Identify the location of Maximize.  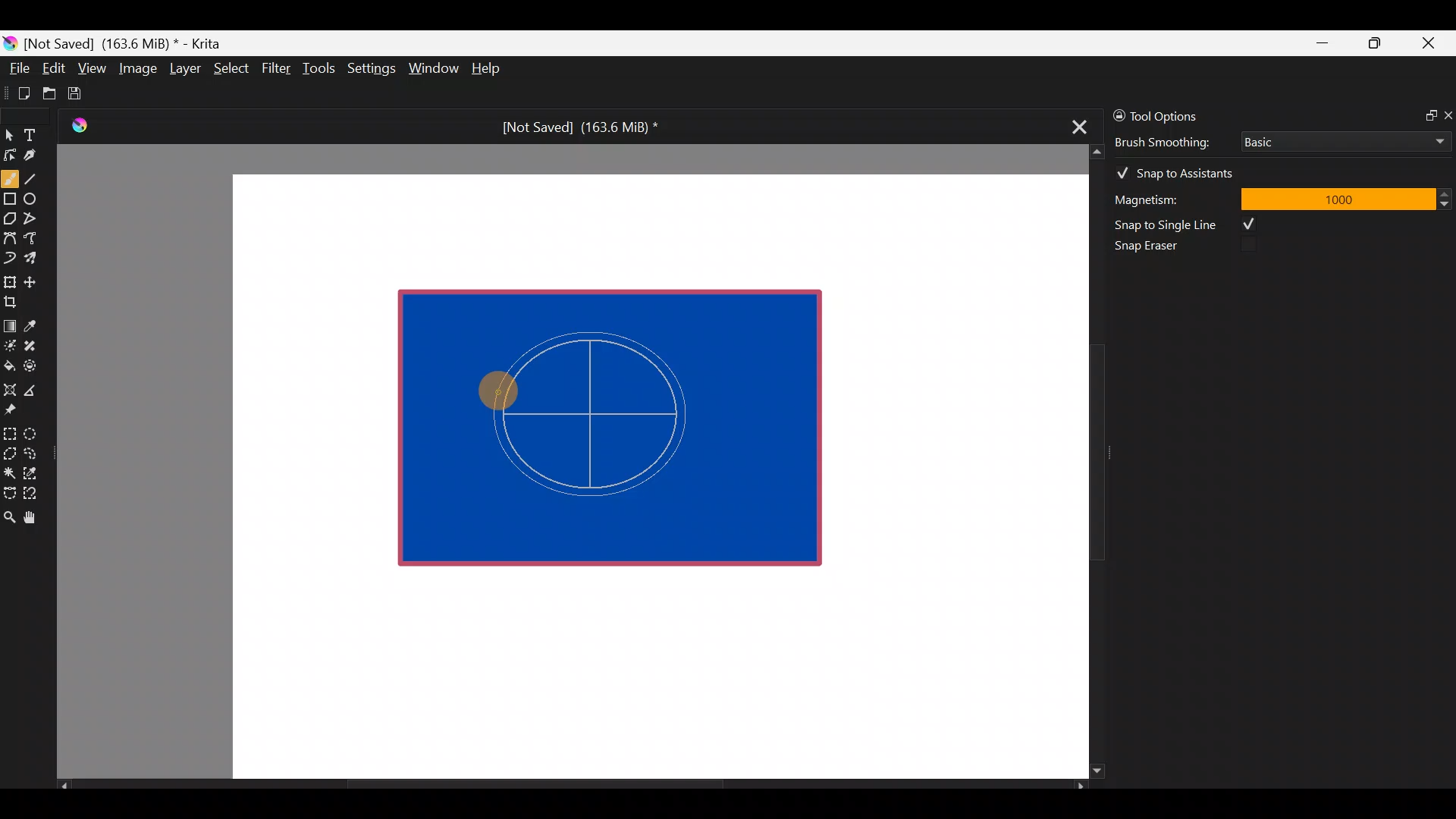
(1374, 42).